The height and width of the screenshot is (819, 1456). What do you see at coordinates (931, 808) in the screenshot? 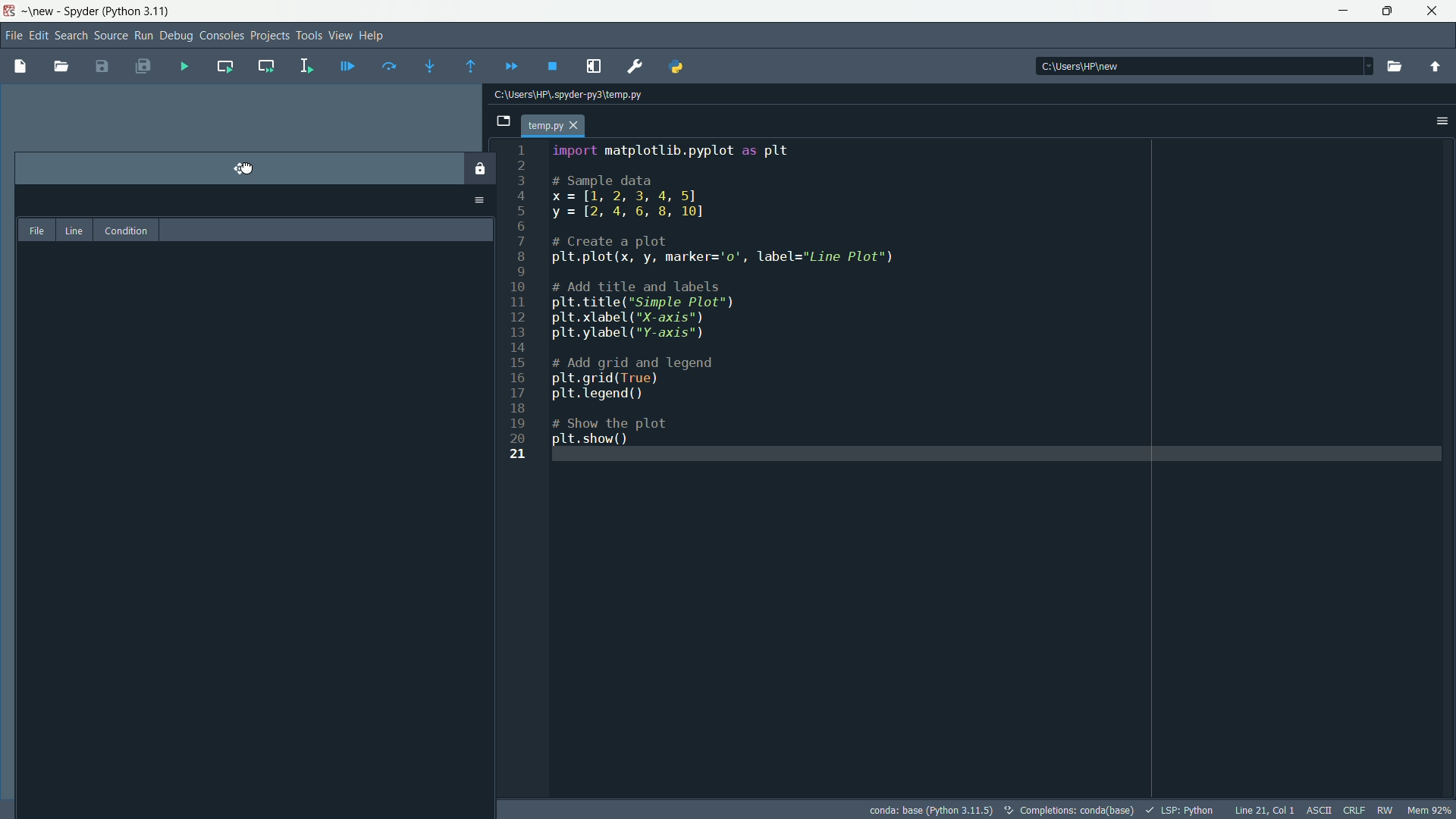
I see `conda: base (Python 3.11.5)` at bounding box center [931, 808].